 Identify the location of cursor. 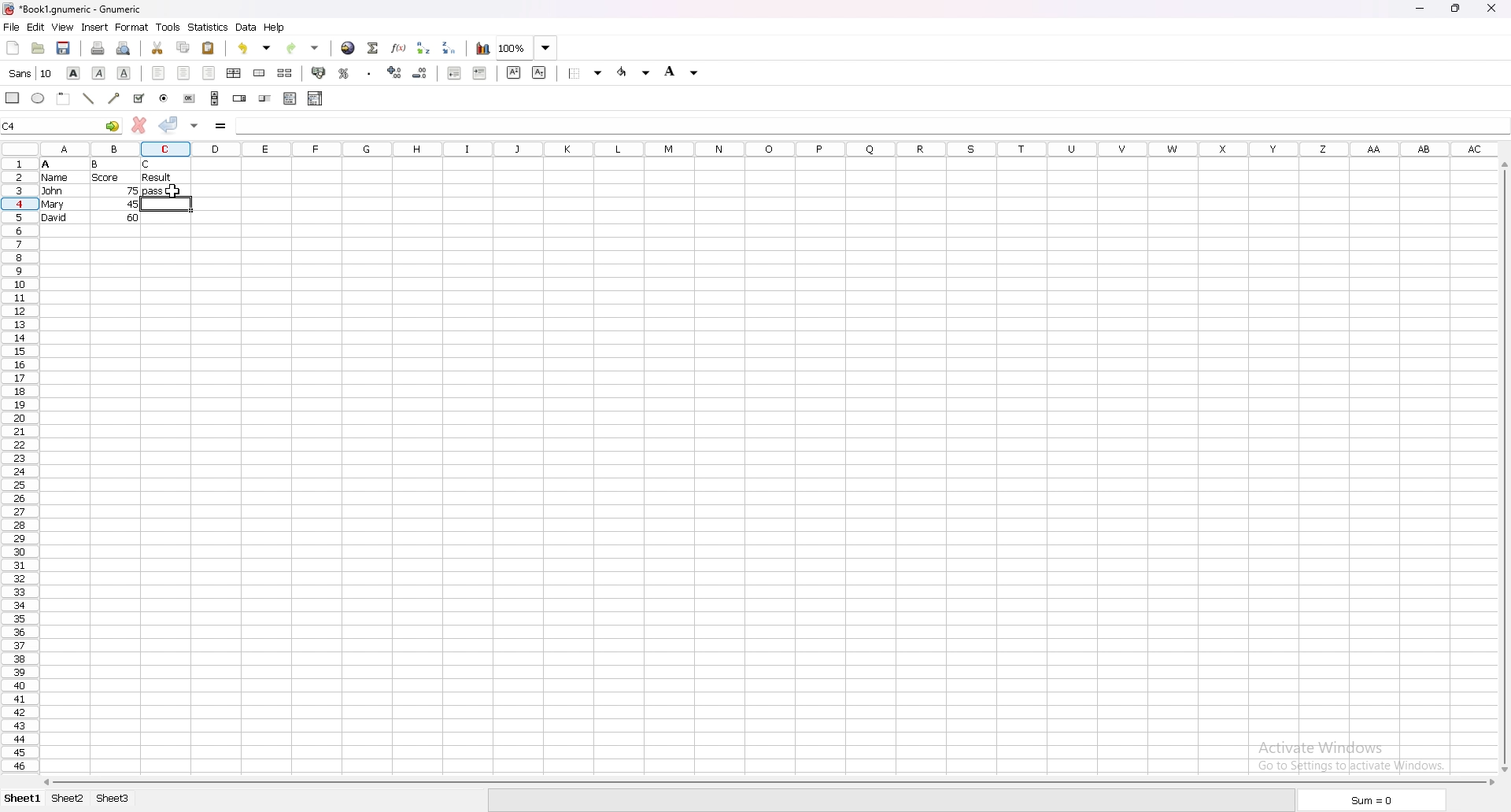
(173, 193).